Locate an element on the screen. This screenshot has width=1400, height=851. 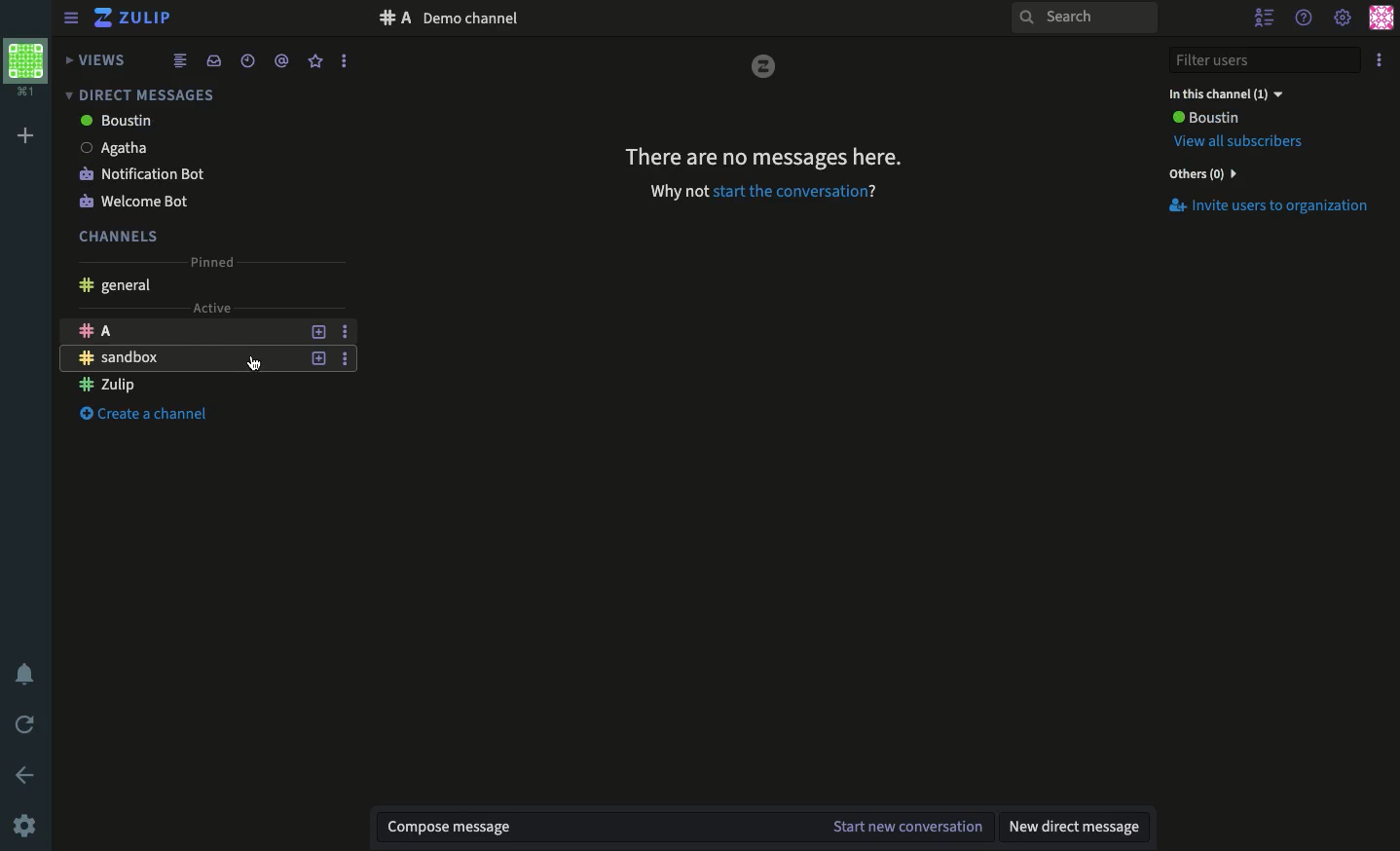
Agatha is located at coordinates (185, 147).